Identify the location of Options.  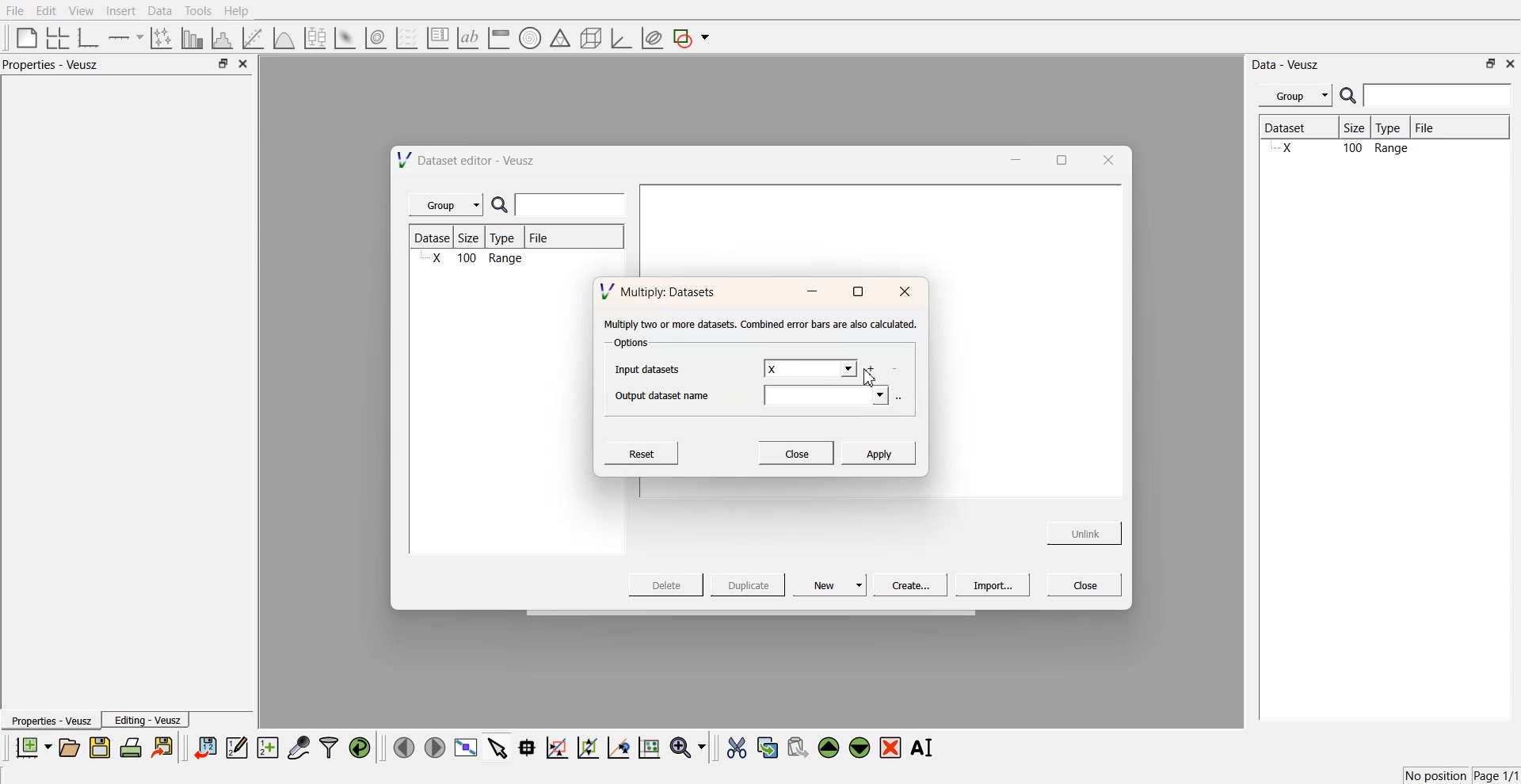
(629, 344).